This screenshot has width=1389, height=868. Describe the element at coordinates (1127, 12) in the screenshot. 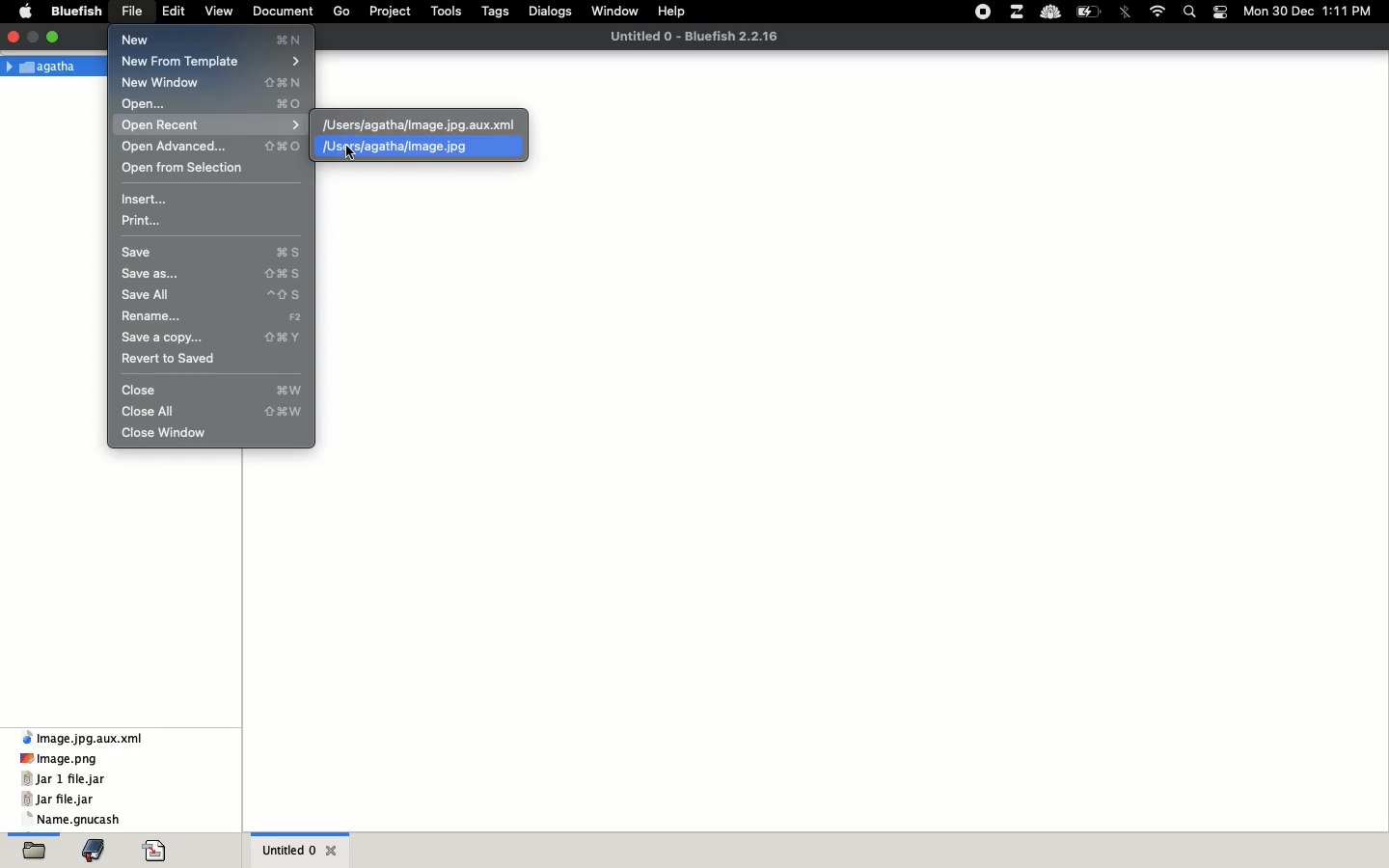

I see `bluetooth` at that location.